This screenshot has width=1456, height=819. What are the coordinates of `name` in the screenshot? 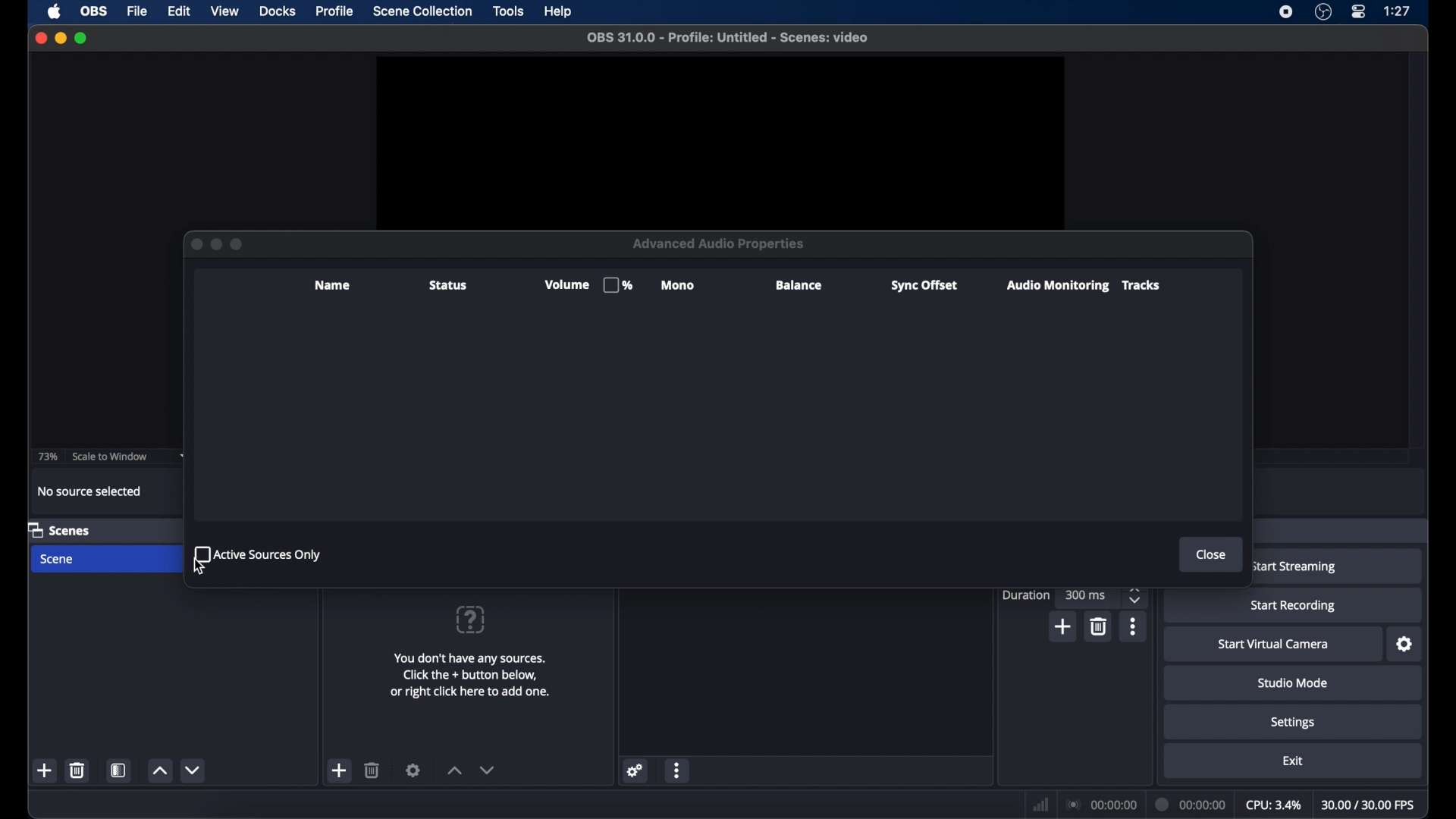 It's located at (333, 285).